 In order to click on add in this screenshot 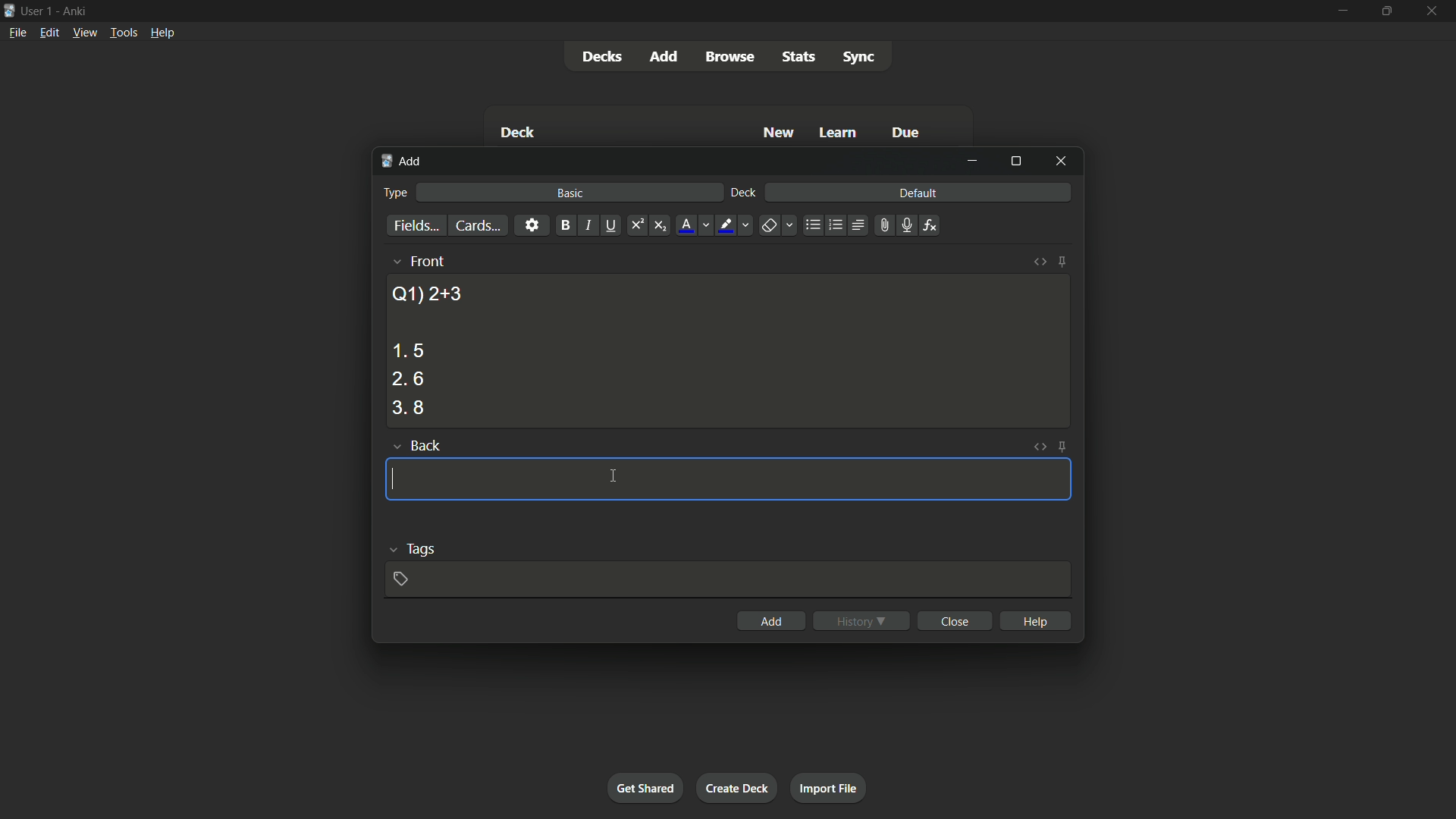, I will do `click(403, 162)`.